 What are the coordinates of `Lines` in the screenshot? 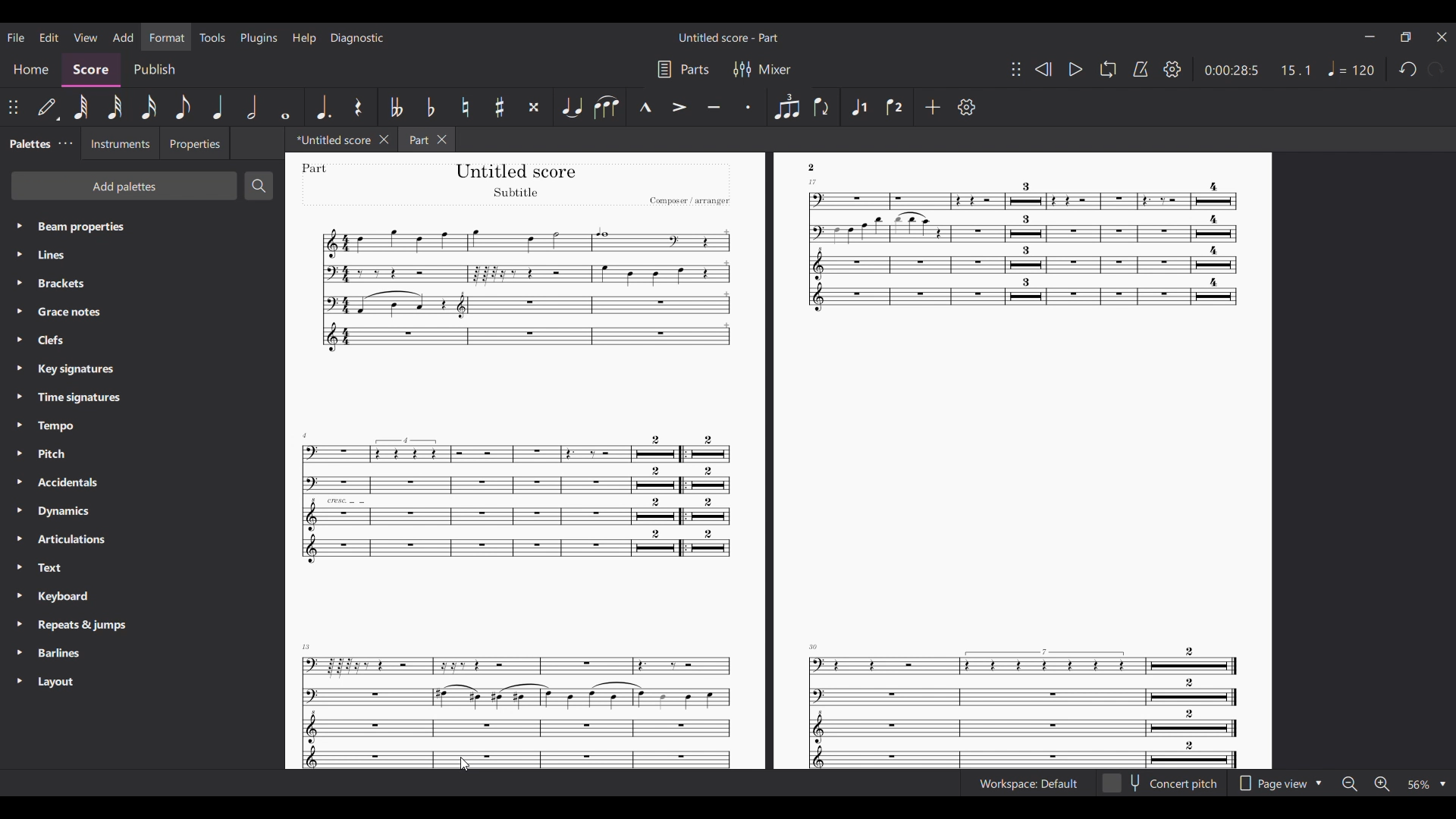 It's located at (74, 253).